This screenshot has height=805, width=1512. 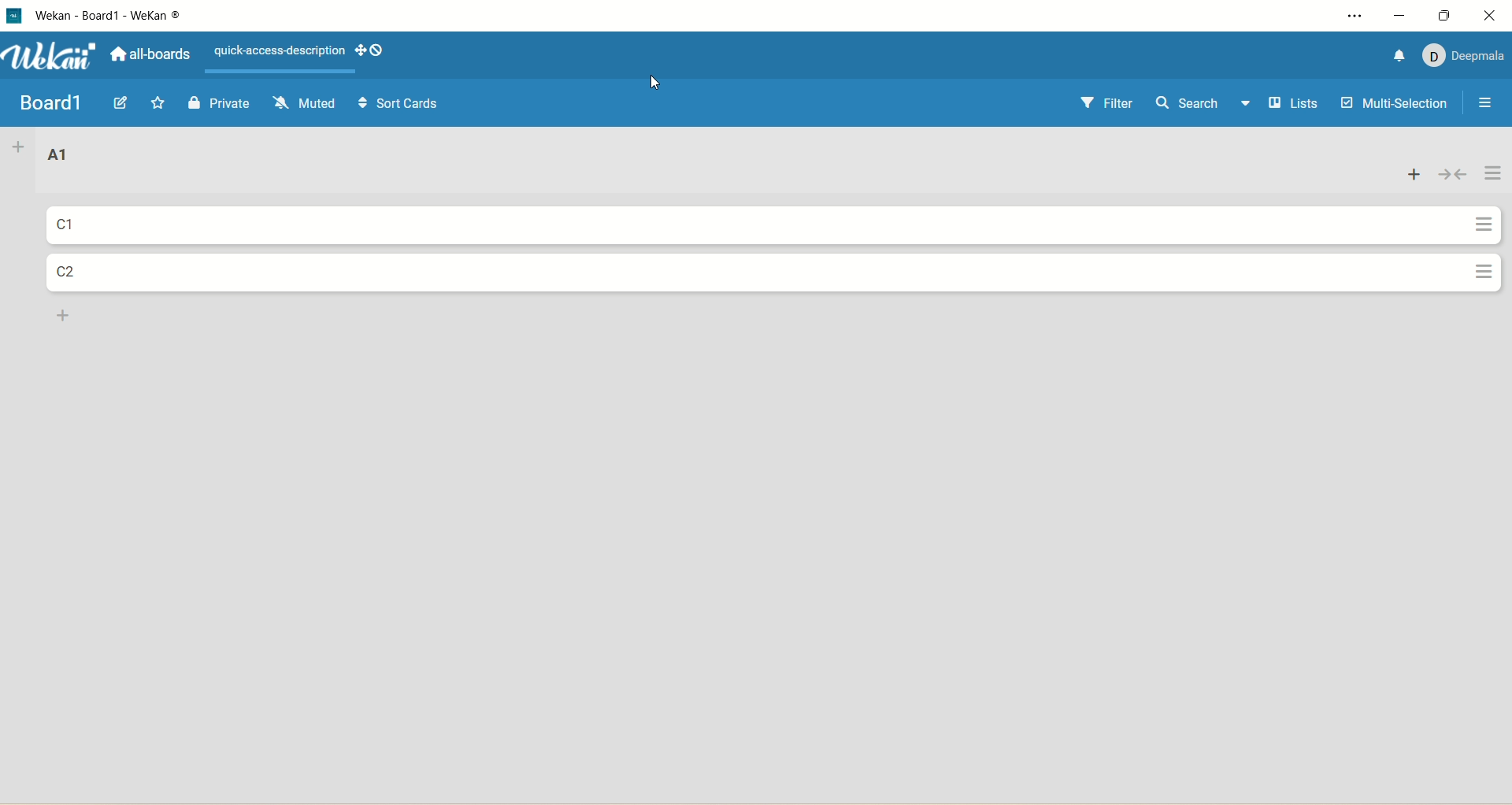 I want to click on add, so click(x=24, y=147).